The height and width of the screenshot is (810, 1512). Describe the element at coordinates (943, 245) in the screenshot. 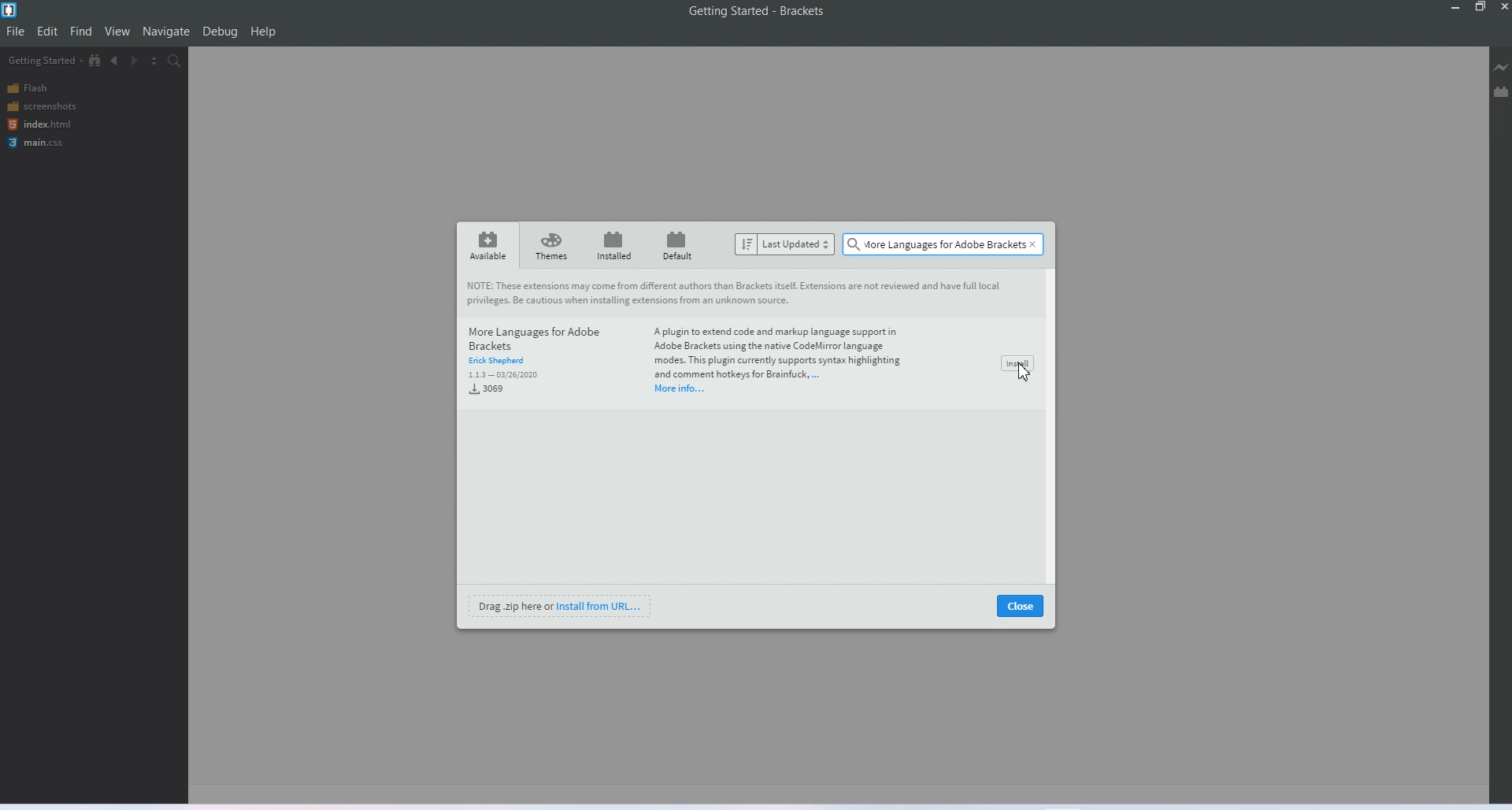

I see `Search bar` at that location.